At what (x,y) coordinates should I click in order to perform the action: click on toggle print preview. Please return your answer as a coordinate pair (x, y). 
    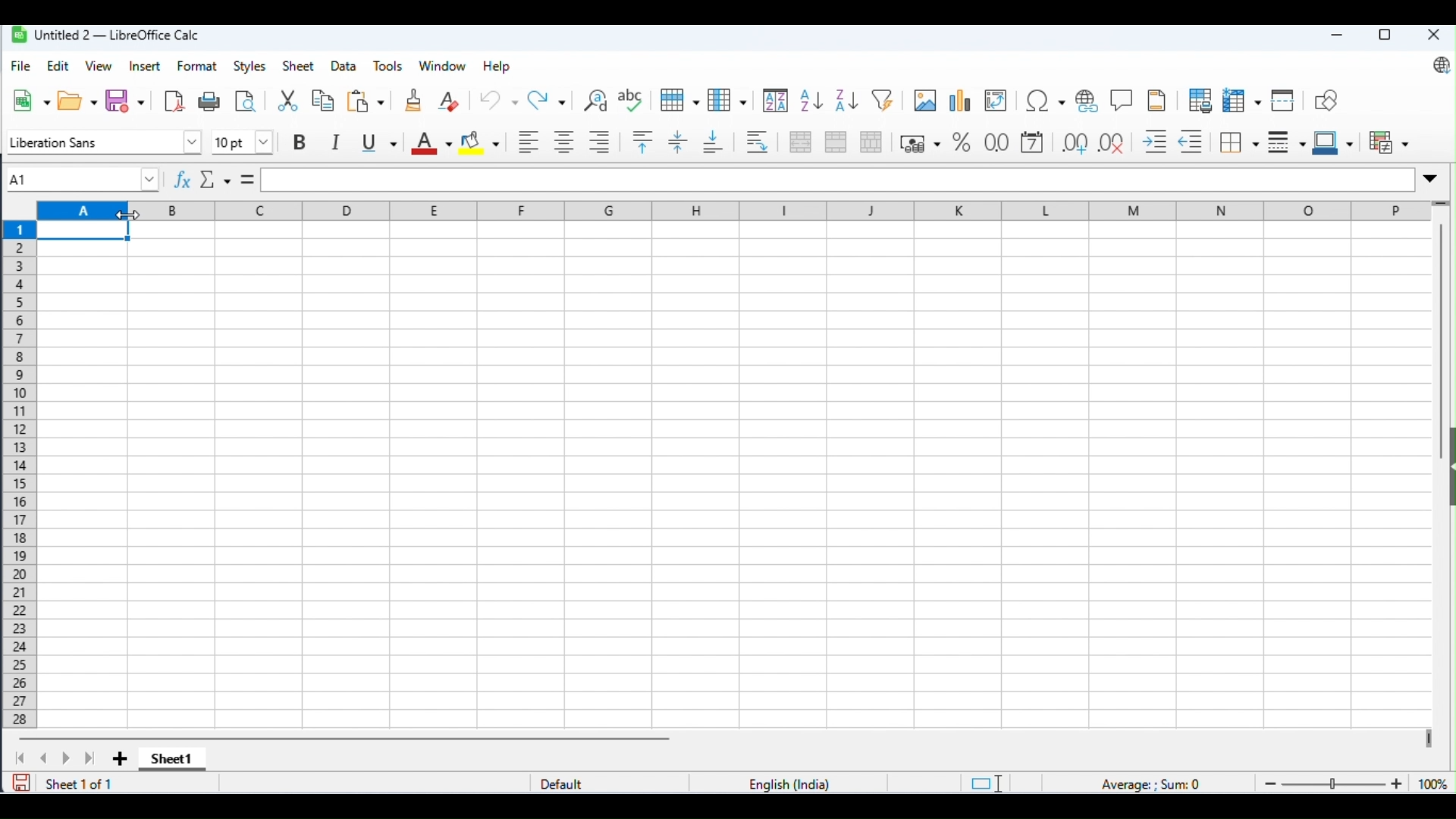
    Looking at the image, I should click on (246, 101).